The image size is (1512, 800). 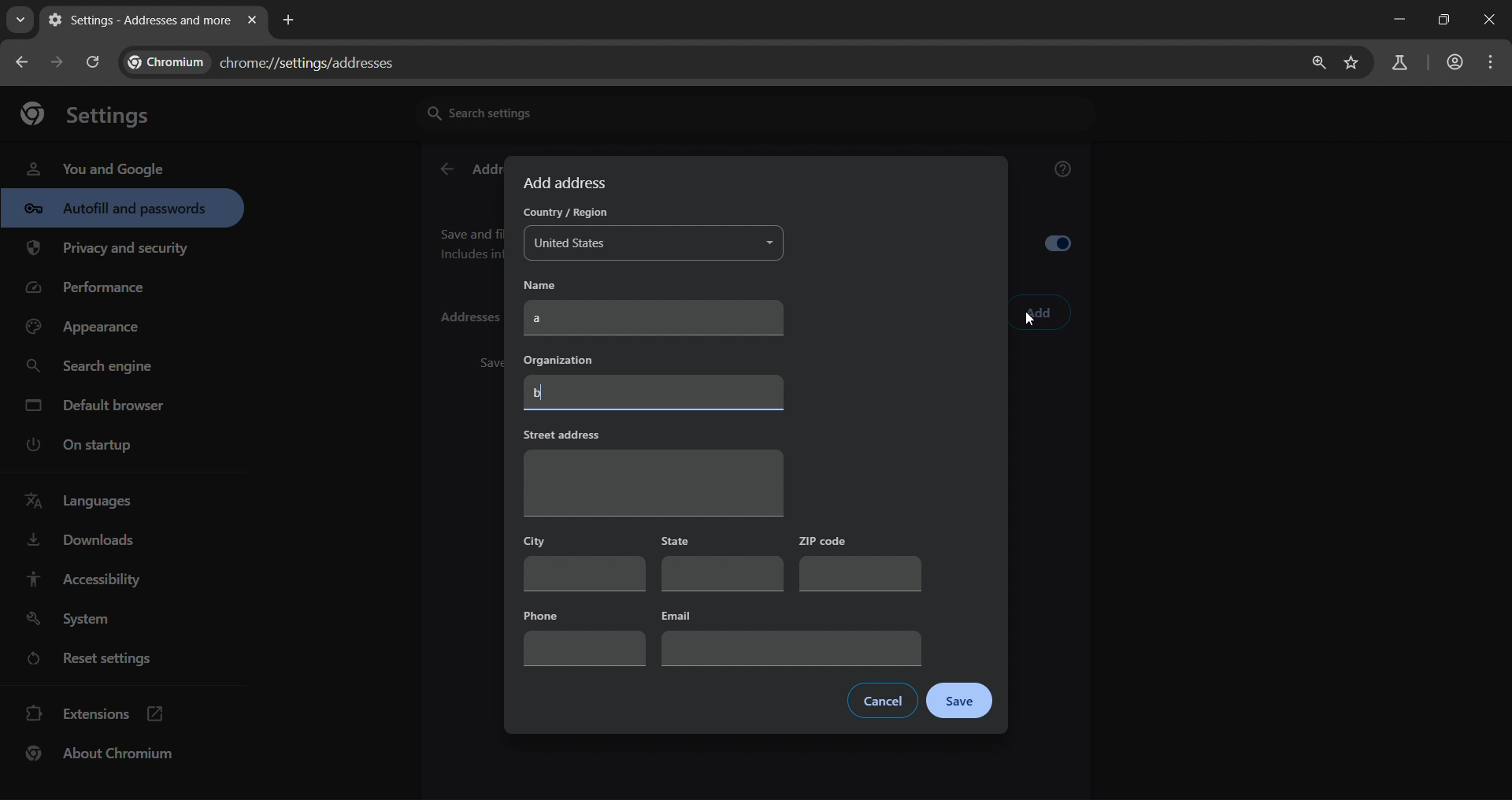 What do you see at coordinates (104, 661) in the screenshot?
I see `reset settings` at bounding box center [104, 661].